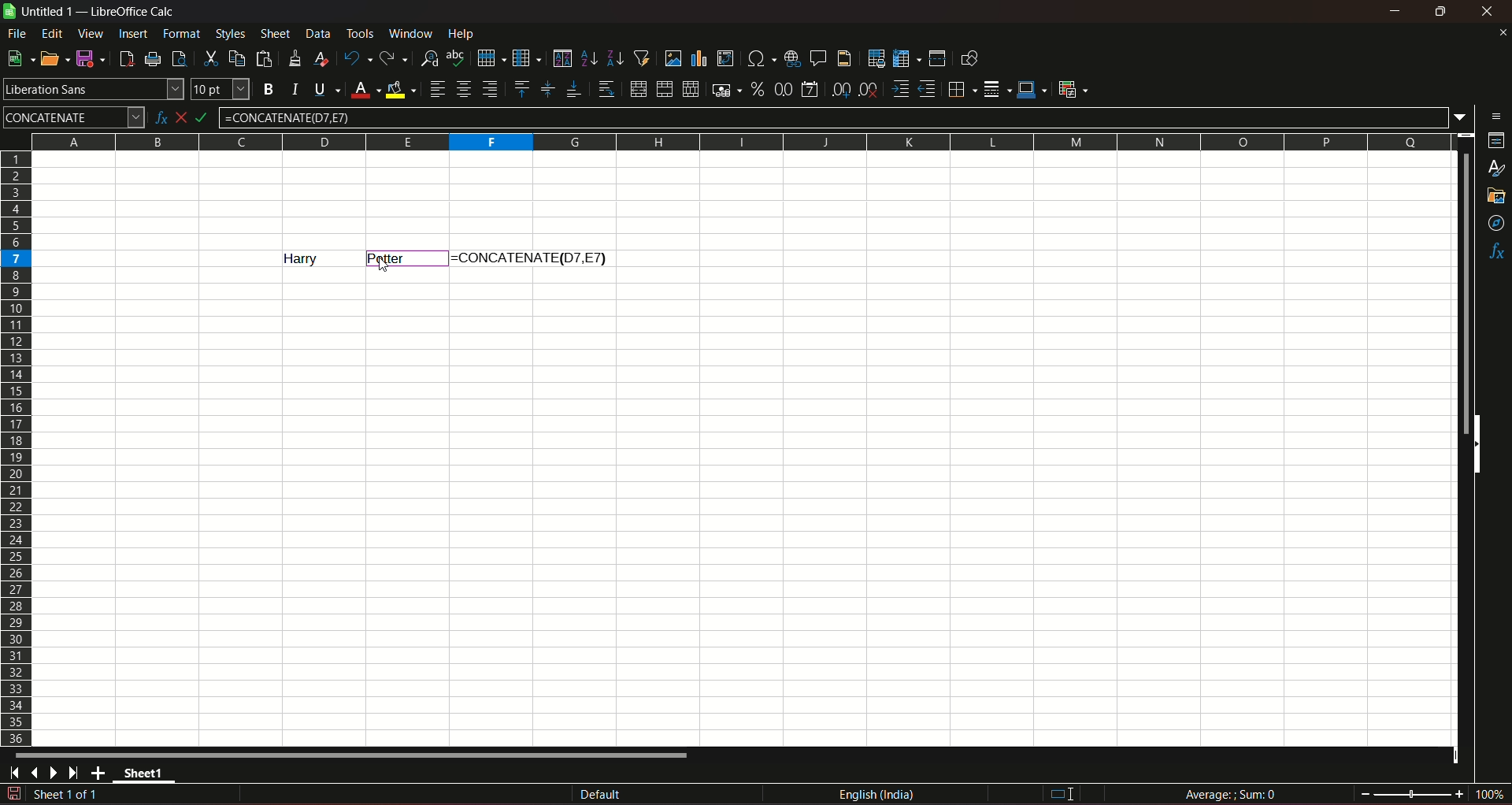  I want to click on view, so click(91, 34).